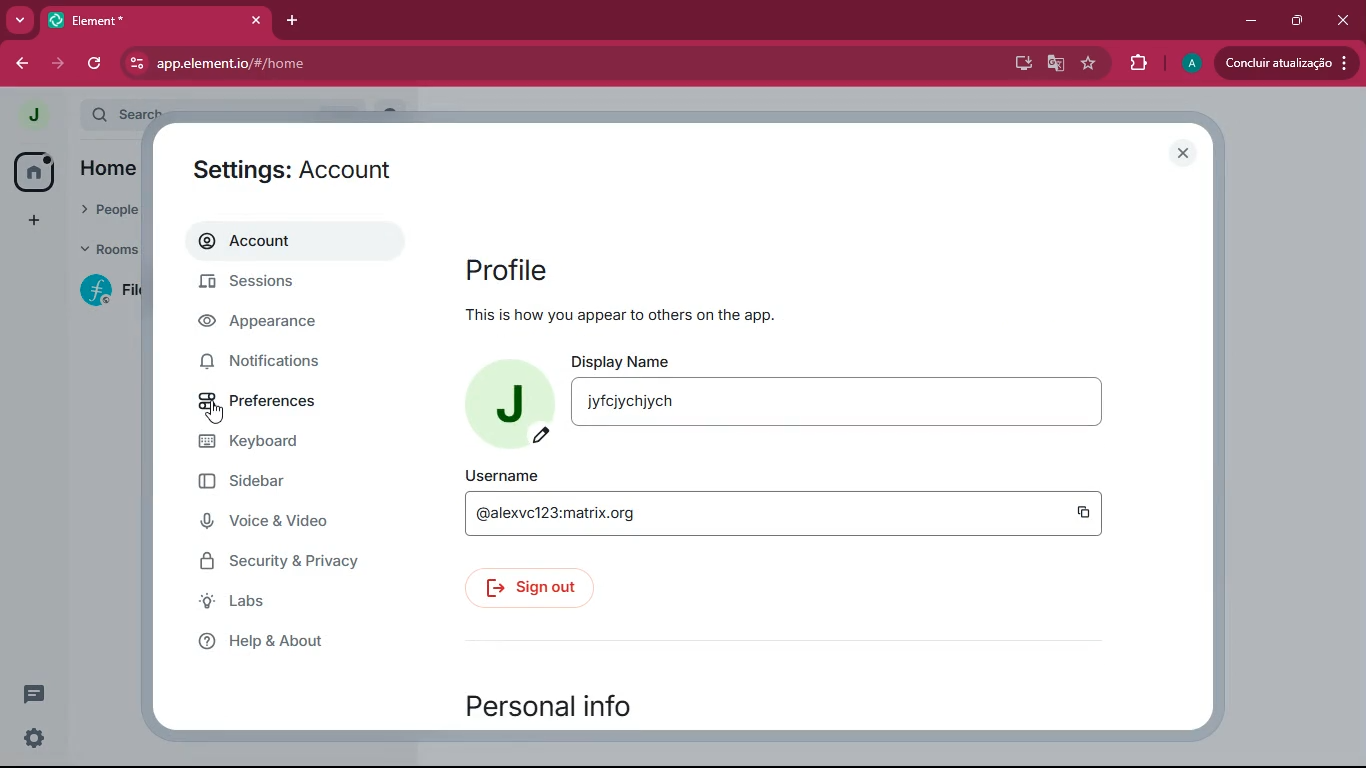 The image size is (1366, 768). Describe the element at coordinates (96, 65) in the screenshot. I see `refresh` at that location.